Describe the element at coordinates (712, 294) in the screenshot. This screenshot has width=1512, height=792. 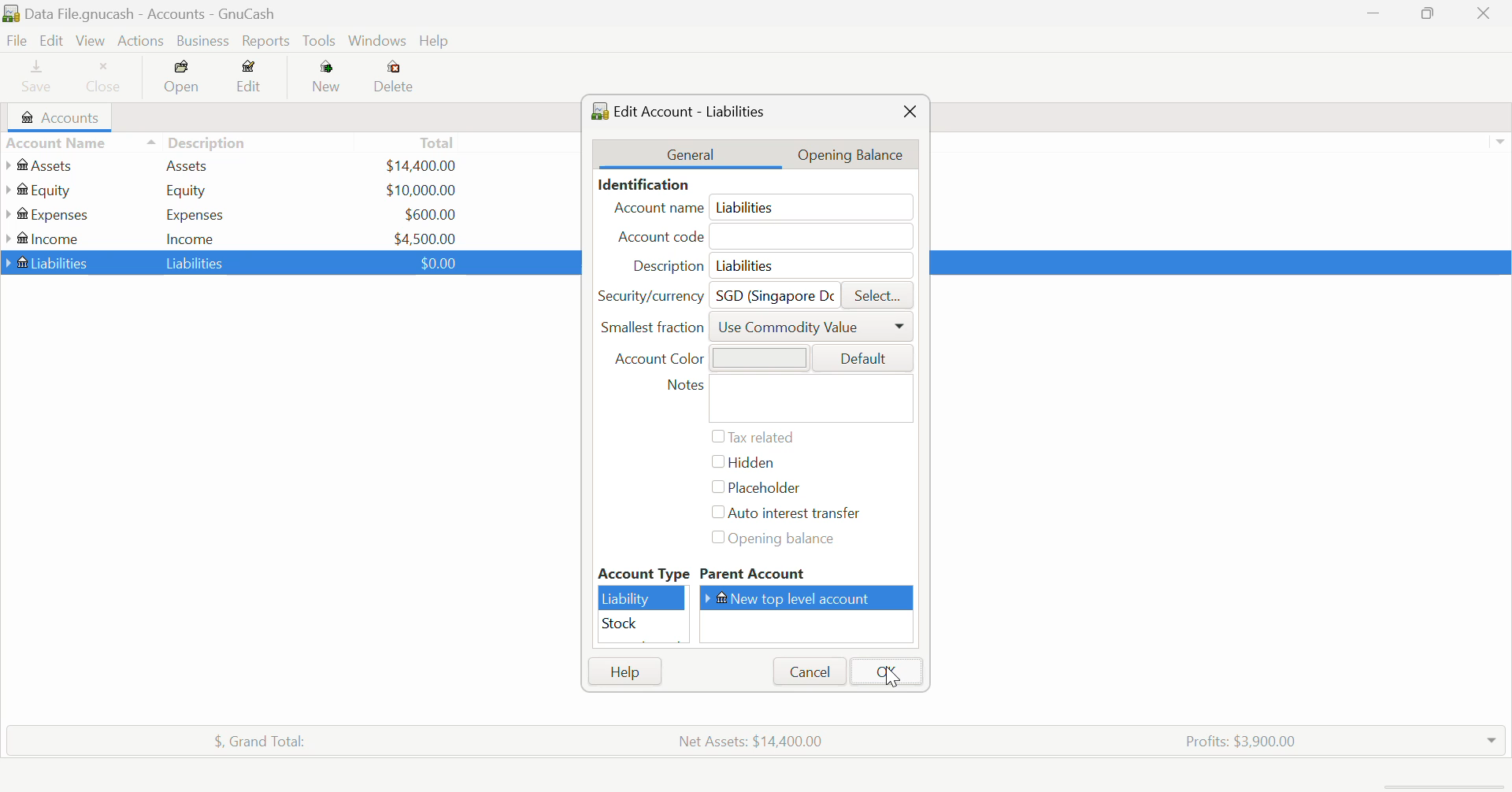
I see `Security/currency: SGD (Singapore Dollar)` at that location.